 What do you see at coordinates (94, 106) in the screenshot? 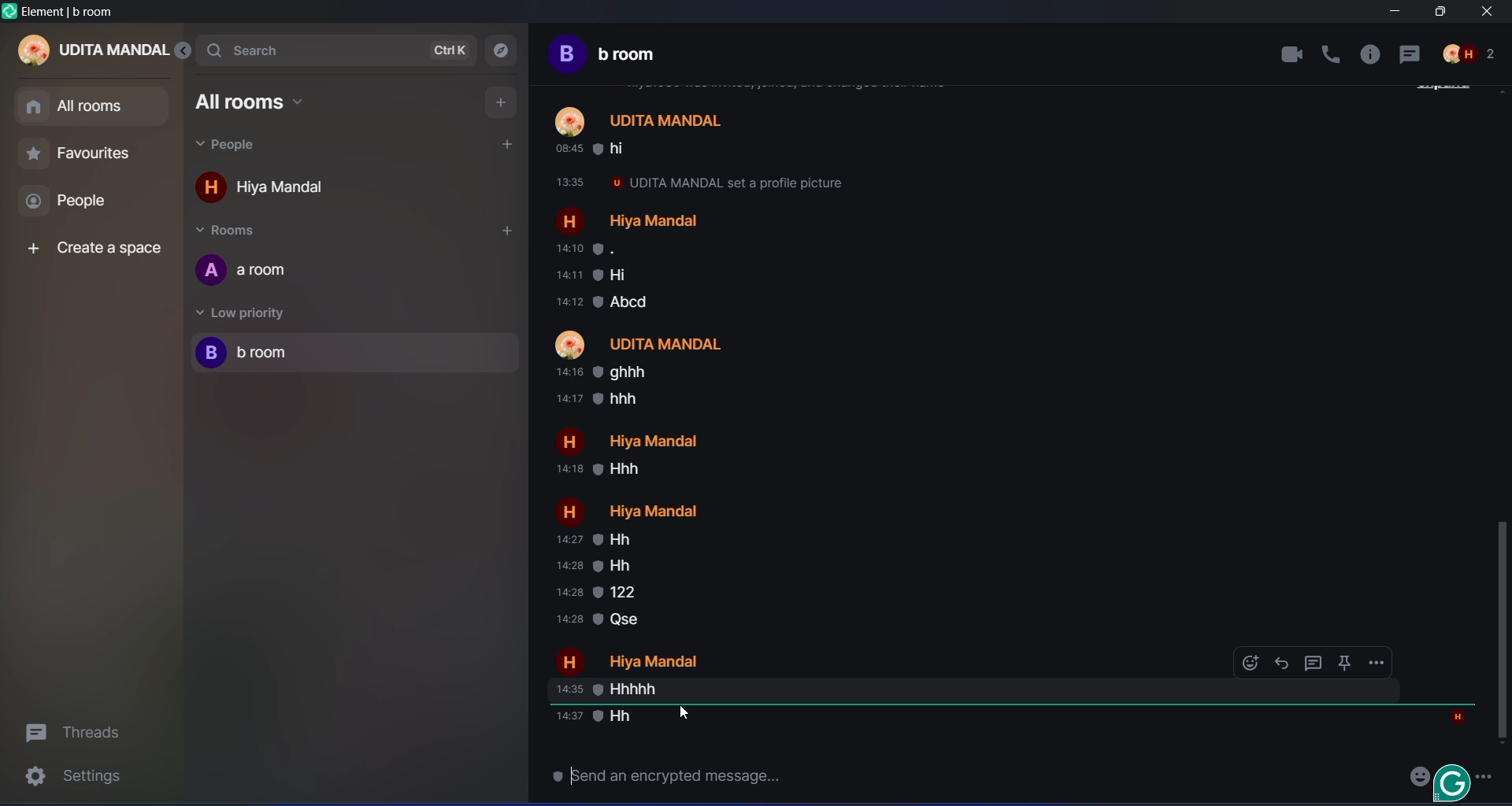
I see `all rooms` at bounding box center [94, 106].